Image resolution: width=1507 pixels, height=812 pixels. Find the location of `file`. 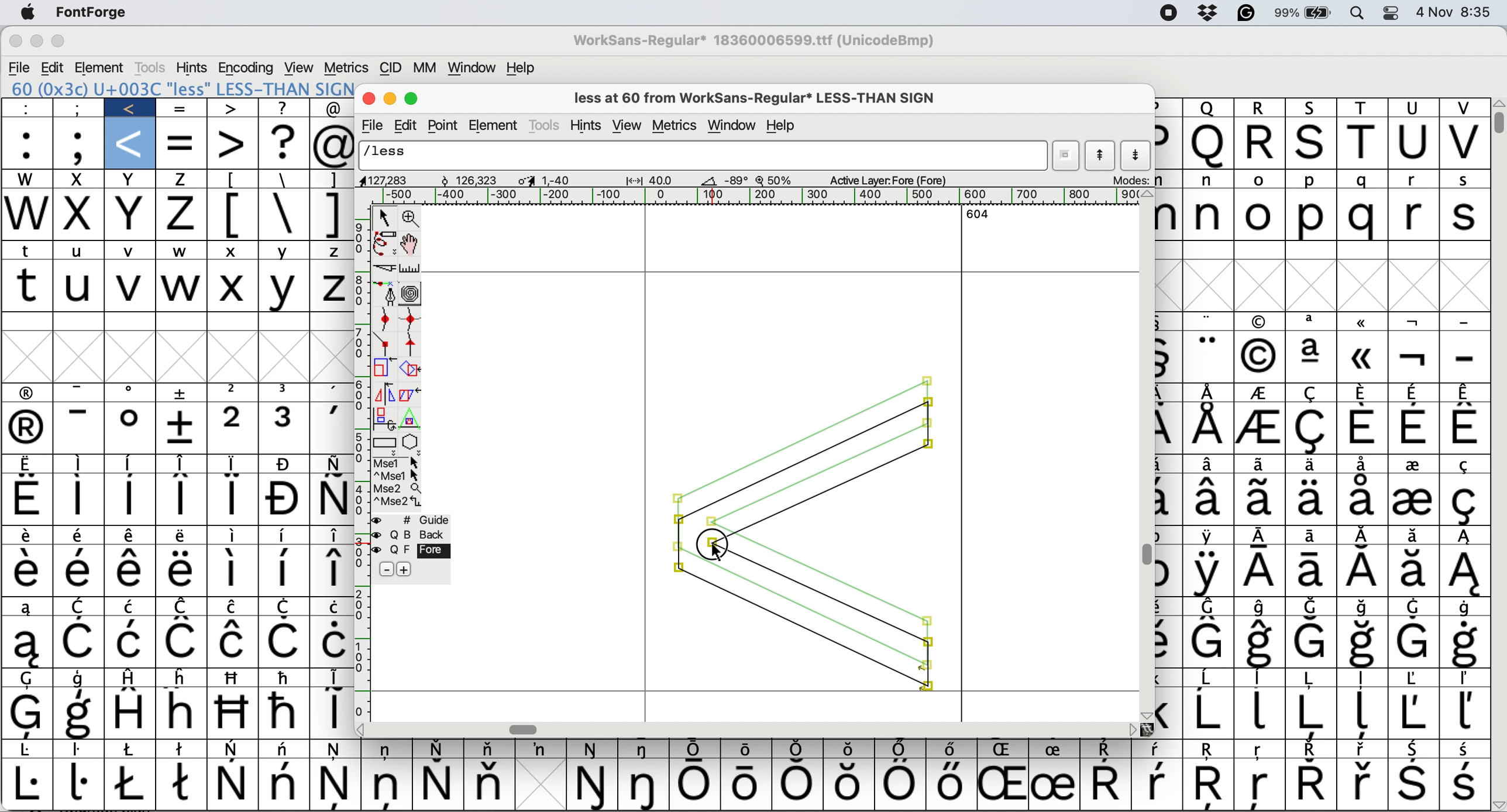

file is located at coordinates (20, 66).